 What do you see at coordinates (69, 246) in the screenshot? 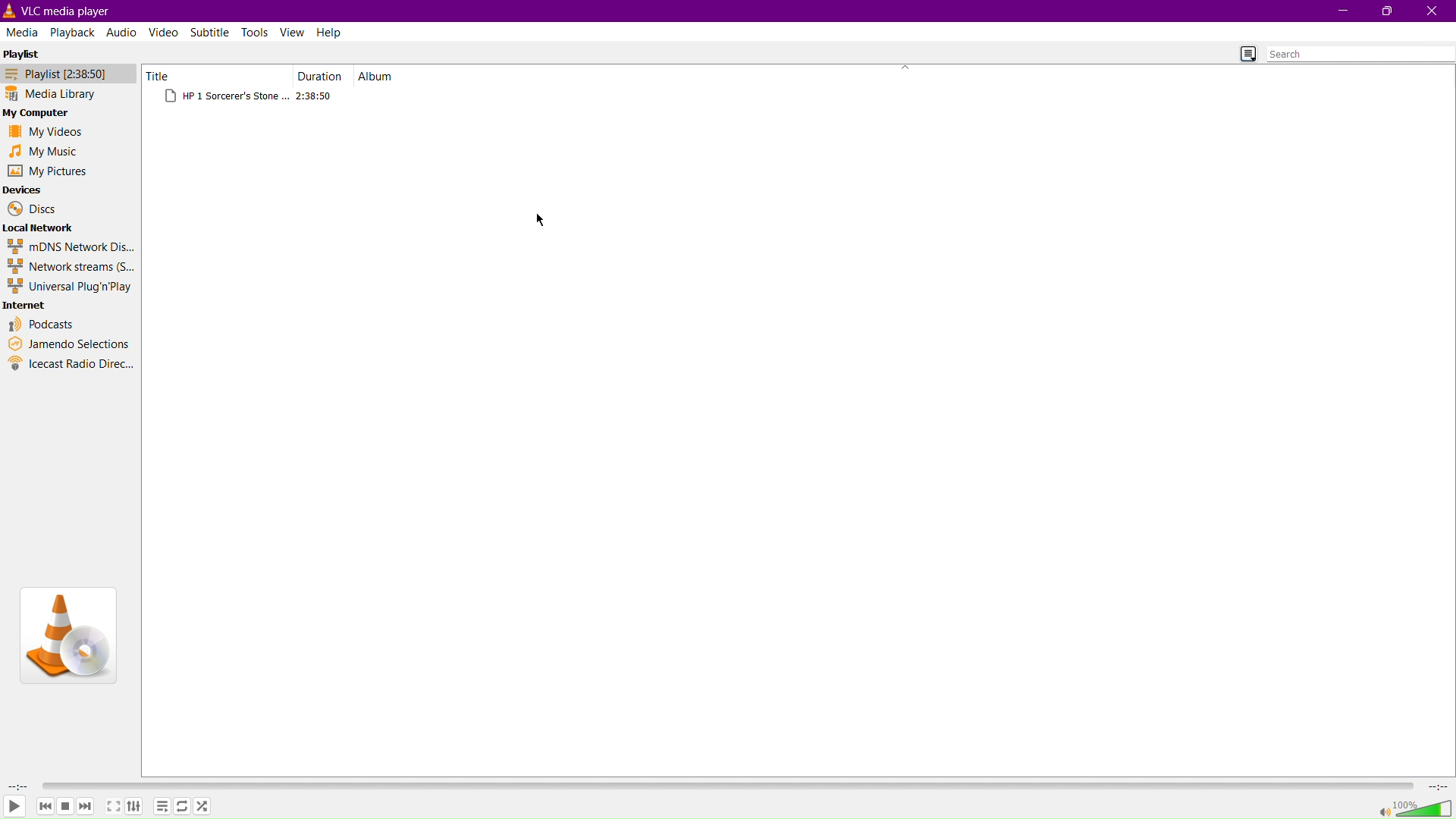
I see `mDNS Network` at bounding box center [69, 246].